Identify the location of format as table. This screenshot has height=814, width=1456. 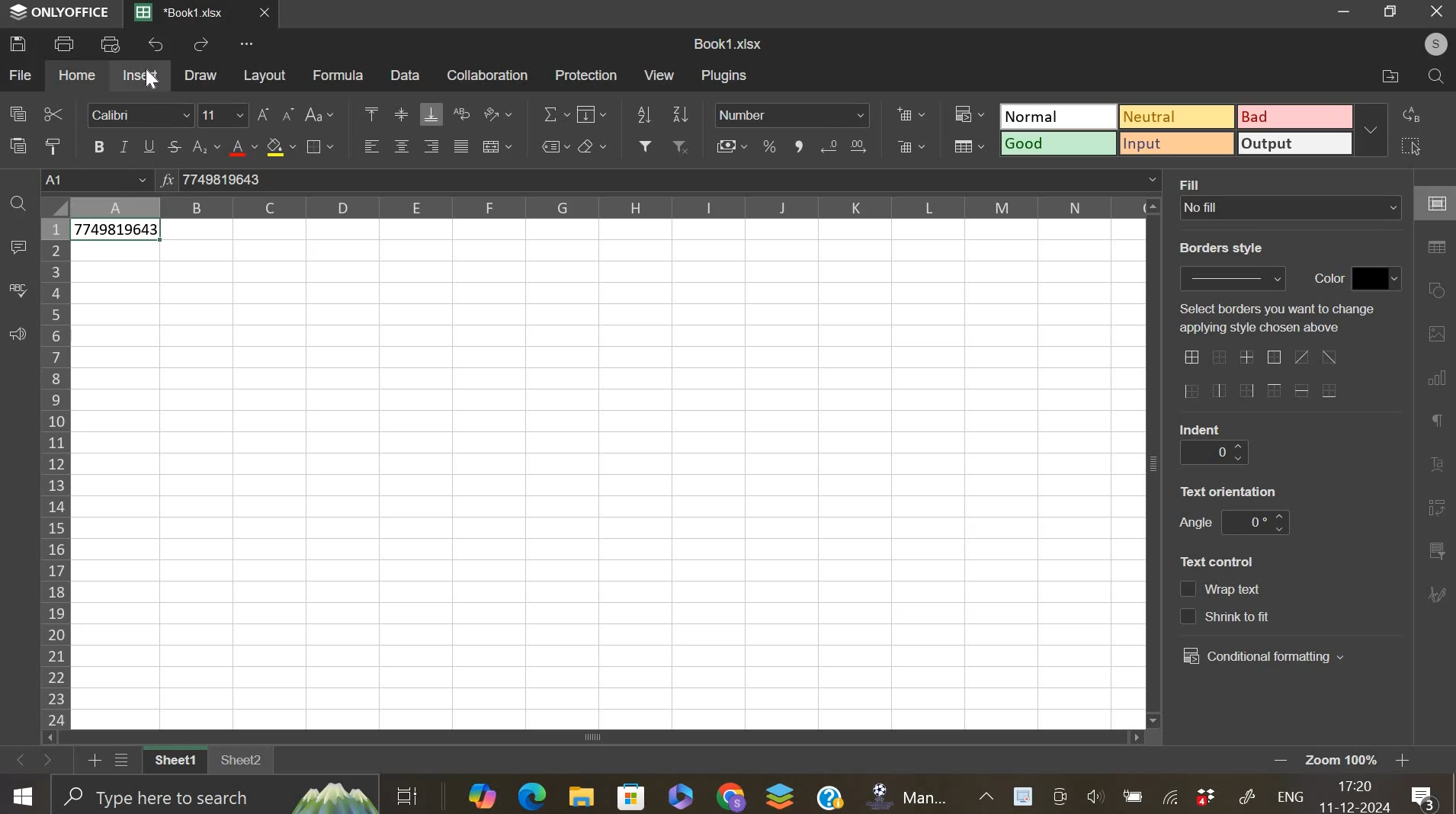
(970, 148).